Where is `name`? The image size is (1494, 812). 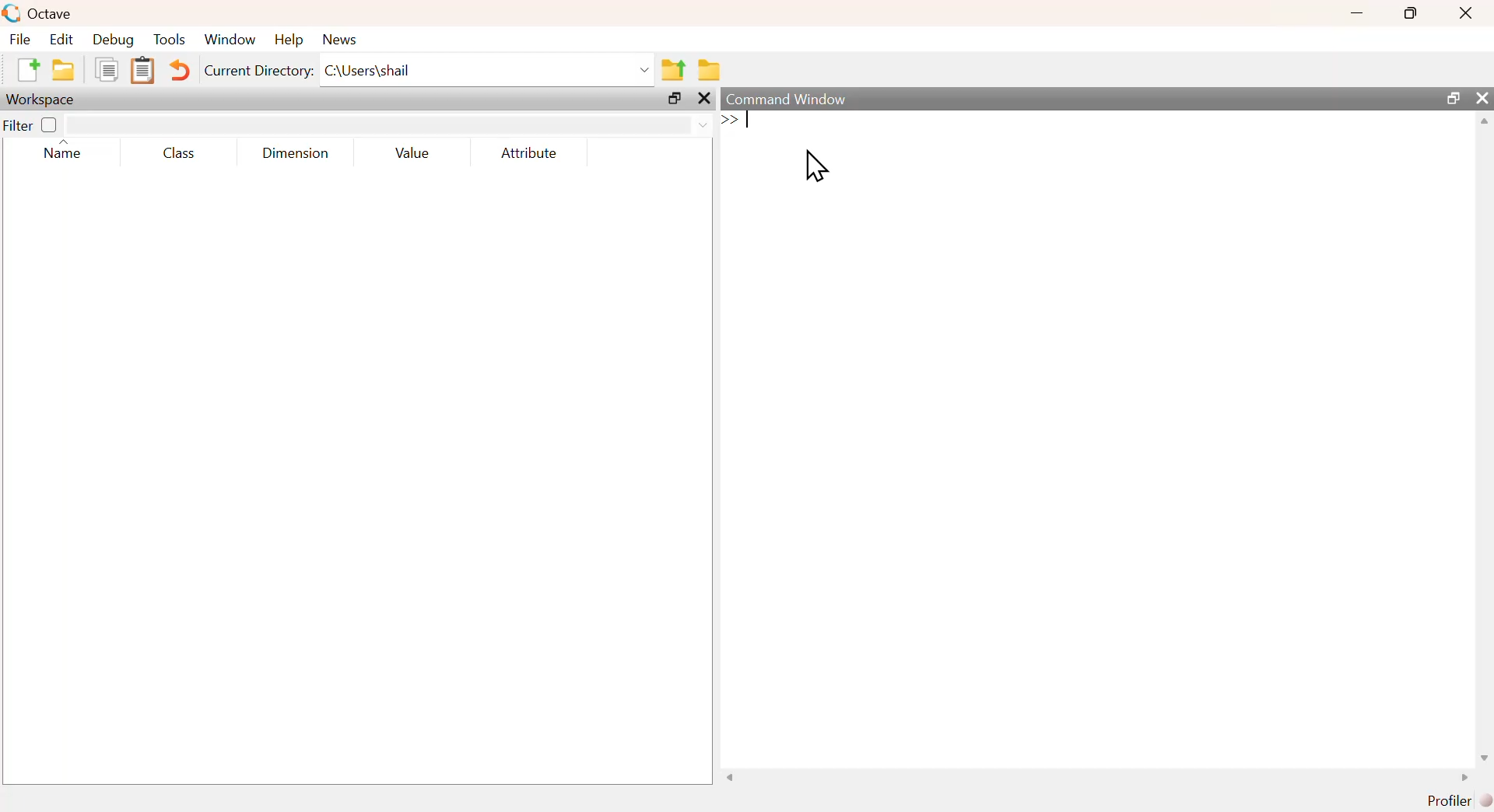 name is located at coordinates (55, 153).